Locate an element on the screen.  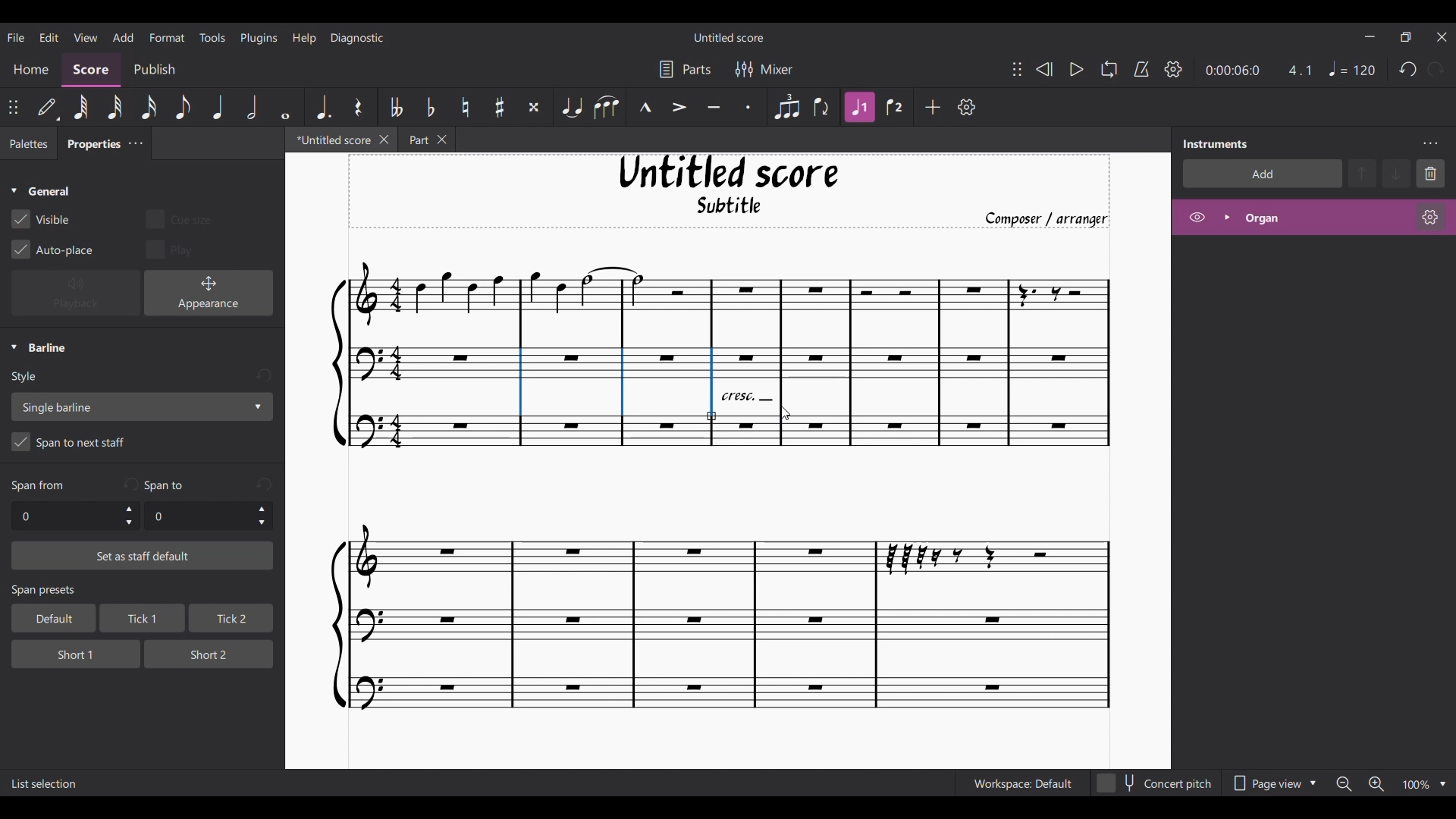
Close interface is located at coordinates (1442, 37).